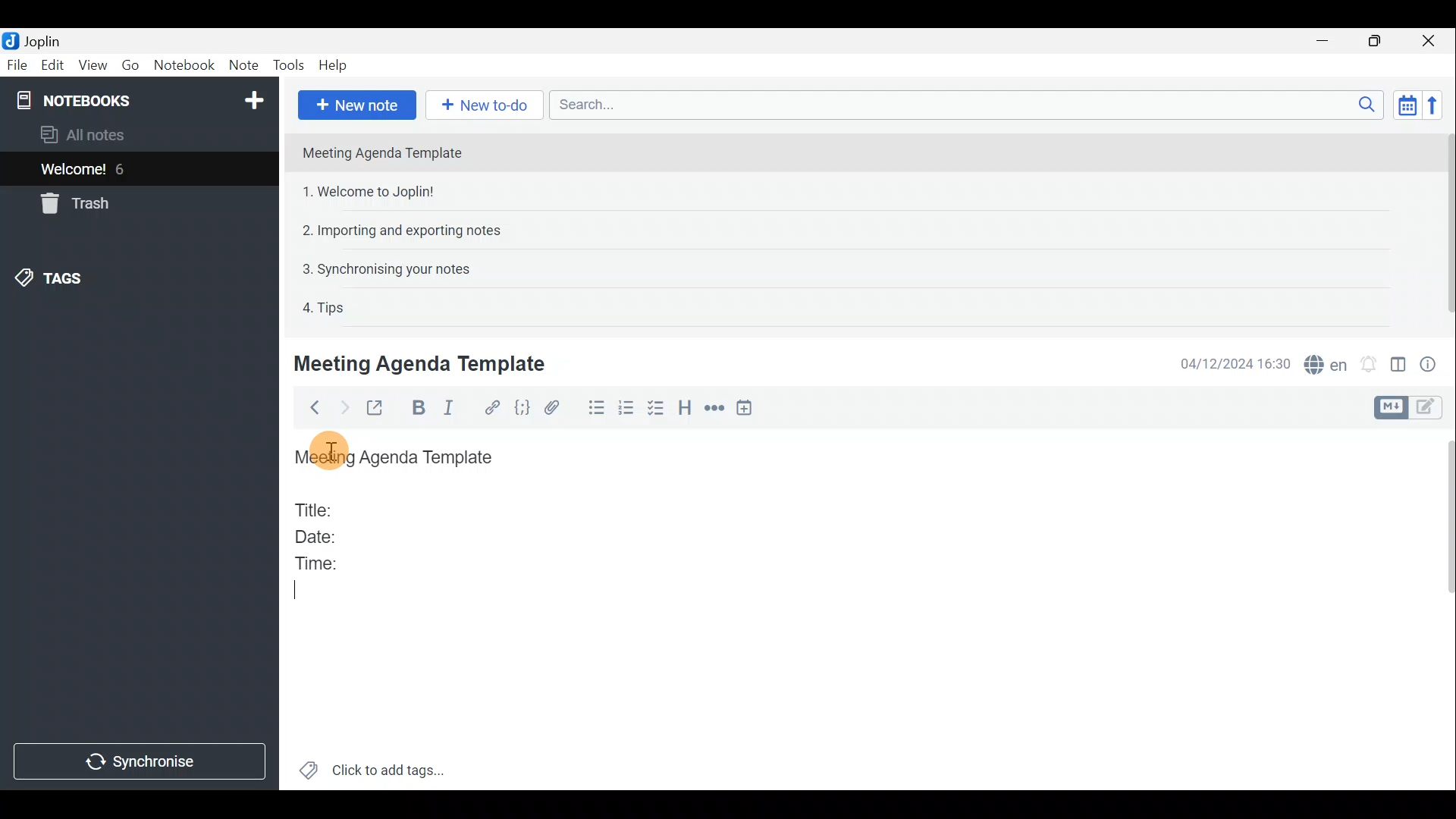 This screenshot has height=819, width=1456. What do you see at coordinates (336, 447) in the screenshot?
I see `` at bounding box center [336, 447].